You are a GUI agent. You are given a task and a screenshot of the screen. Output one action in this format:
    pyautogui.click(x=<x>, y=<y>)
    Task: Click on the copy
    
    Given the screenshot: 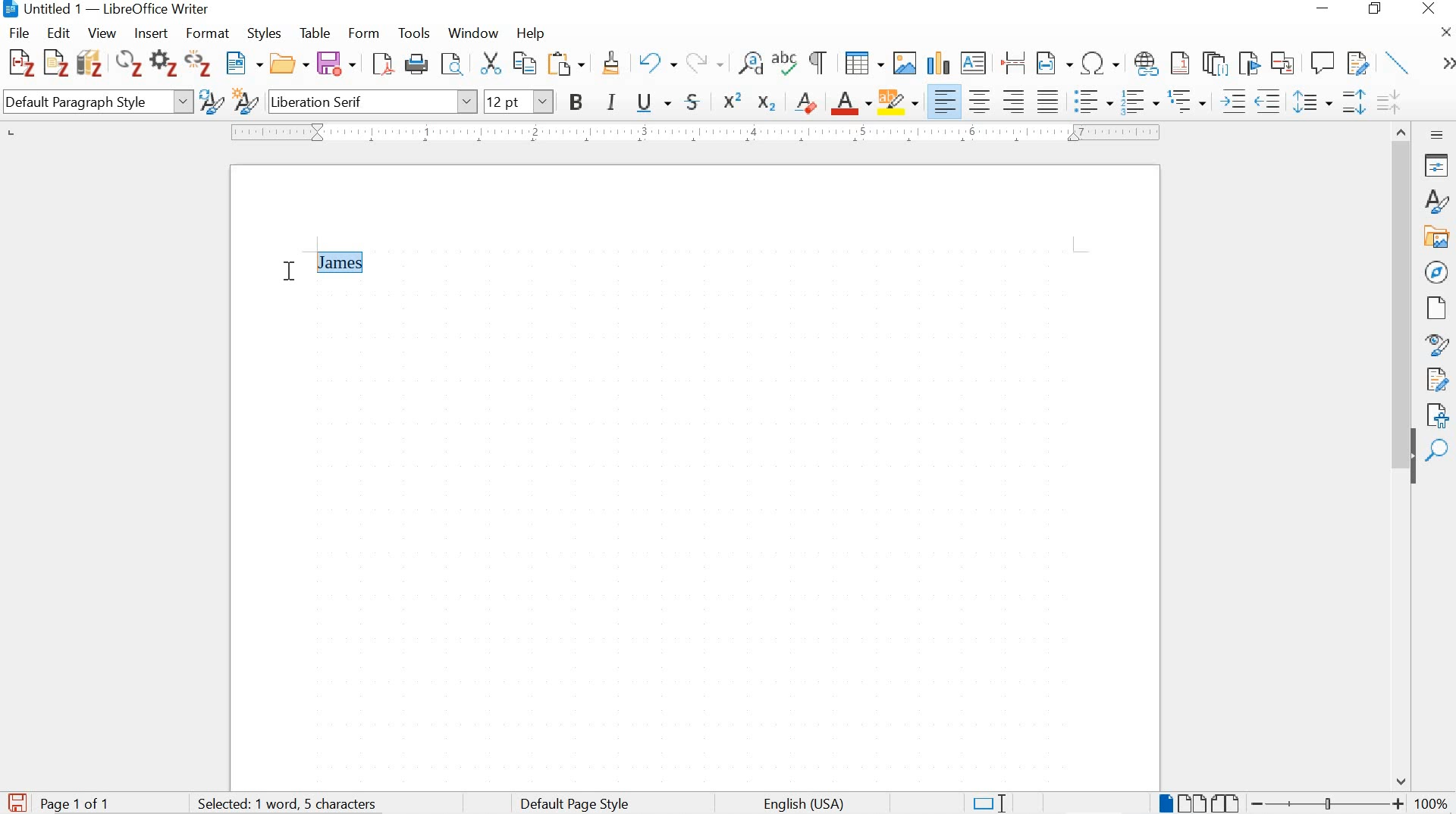 What is the action you would take?
    pyautogui.click(x=523, y=63)
    